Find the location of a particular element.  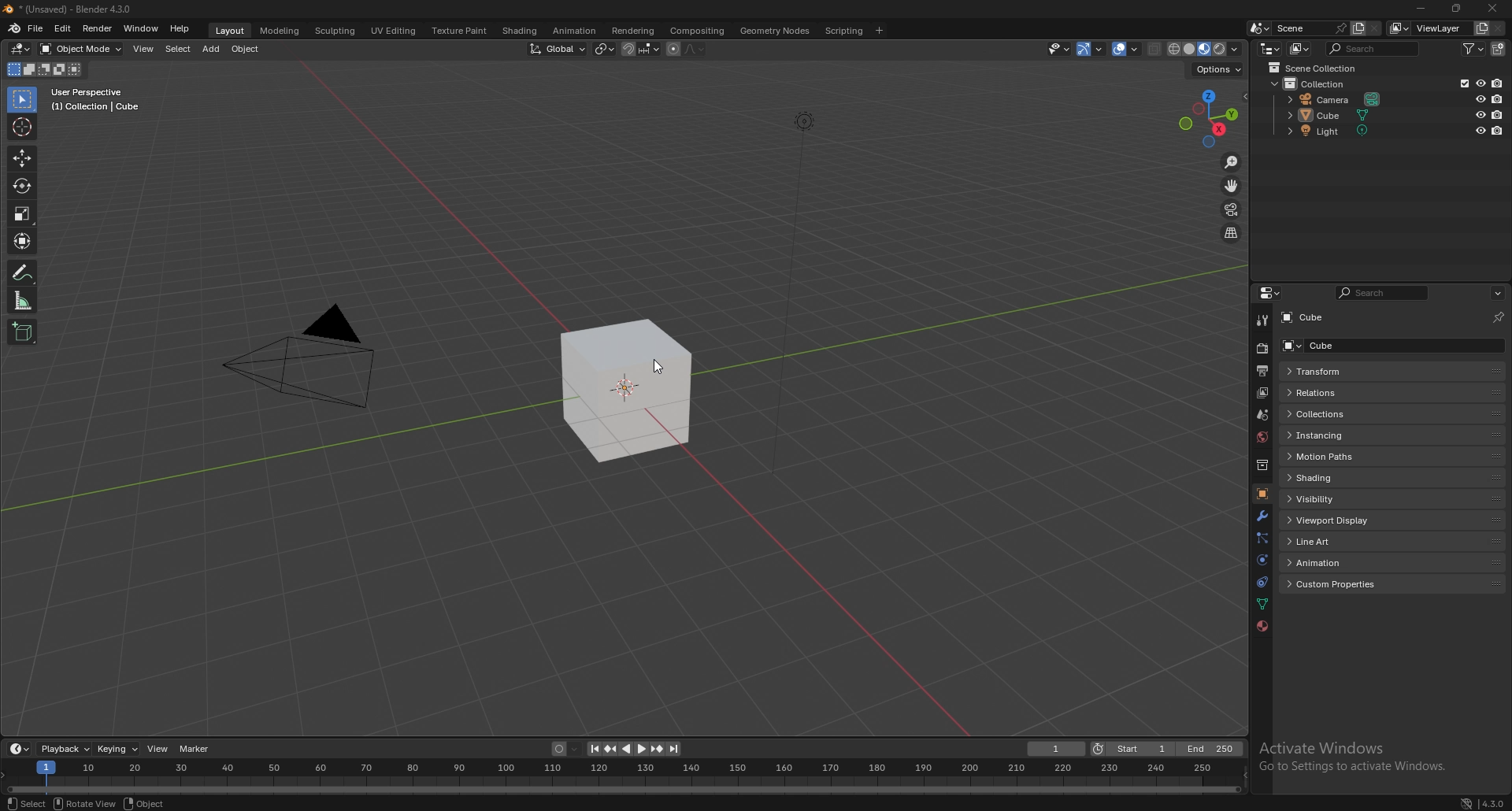

toggle xrays is located at coordinates (1155, 50).